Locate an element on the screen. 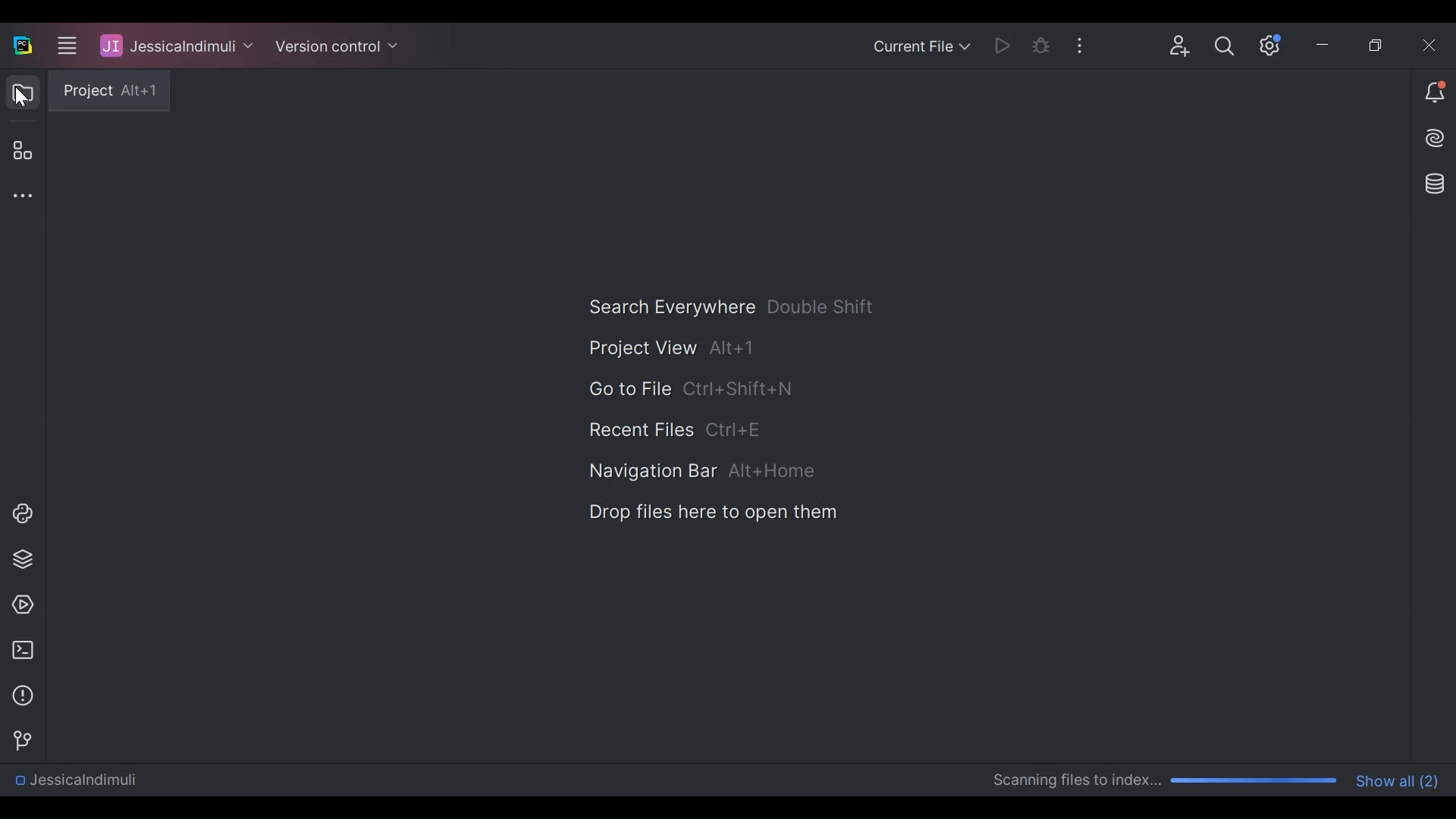 The width and height of the screenshot is (1456, 819). Project View is located at coordinates (673, 348).